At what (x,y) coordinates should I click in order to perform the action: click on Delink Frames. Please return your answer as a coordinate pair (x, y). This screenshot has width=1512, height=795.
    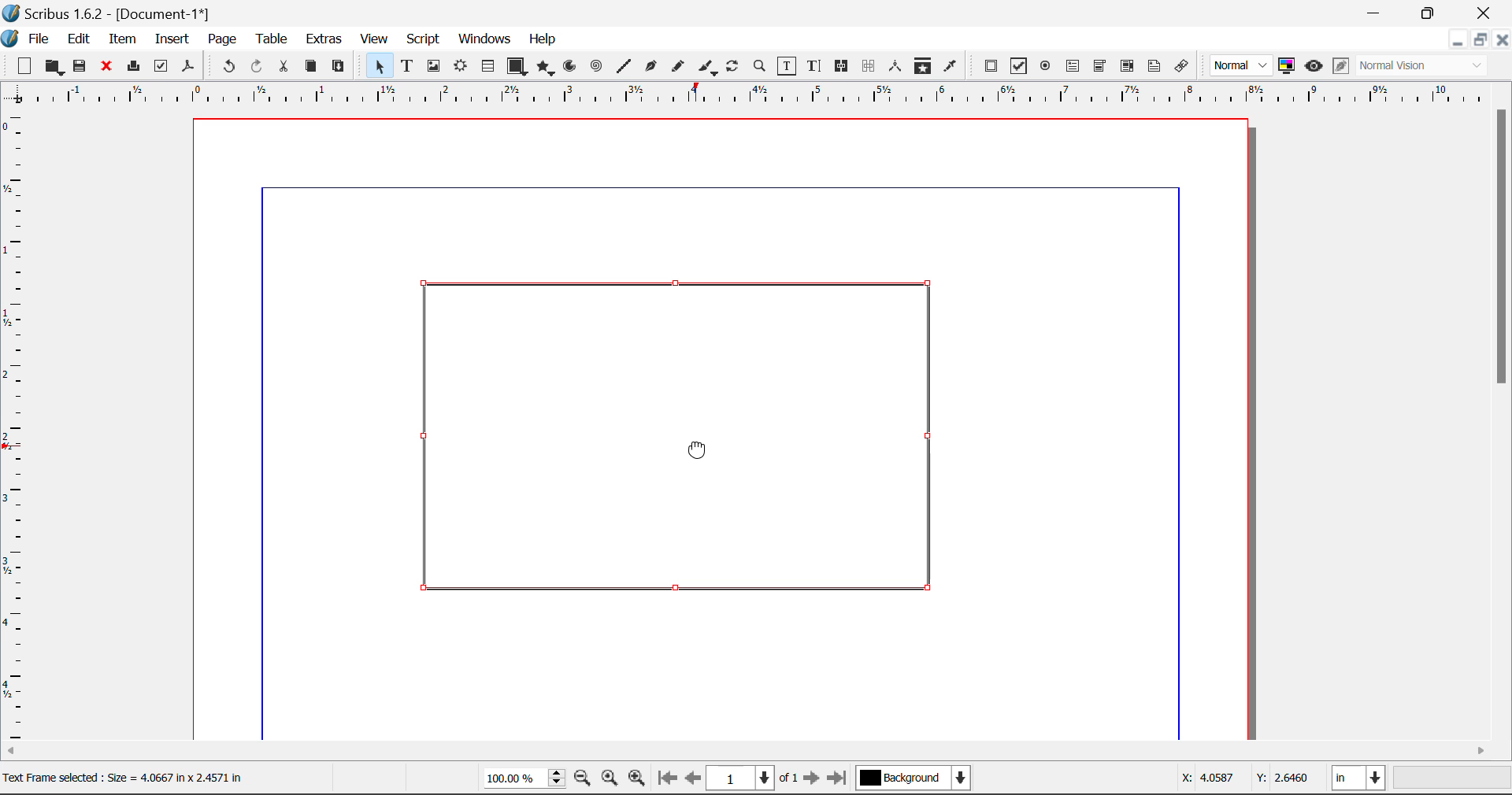
    Looking at the image, I should click on (870, 66).